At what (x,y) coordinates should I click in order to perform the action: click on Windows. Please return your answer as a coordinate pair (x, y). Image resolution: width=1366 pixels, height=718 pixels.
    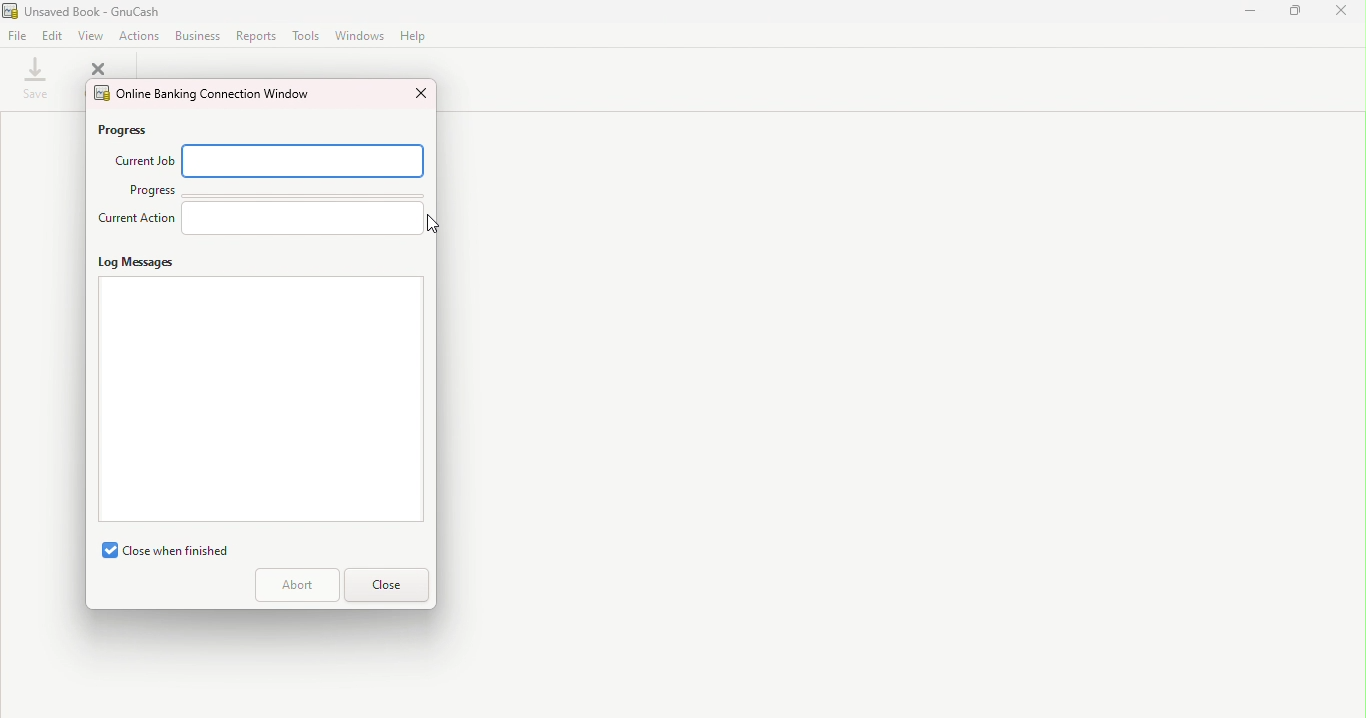
    Looking at the image, I should click on (360, 34).